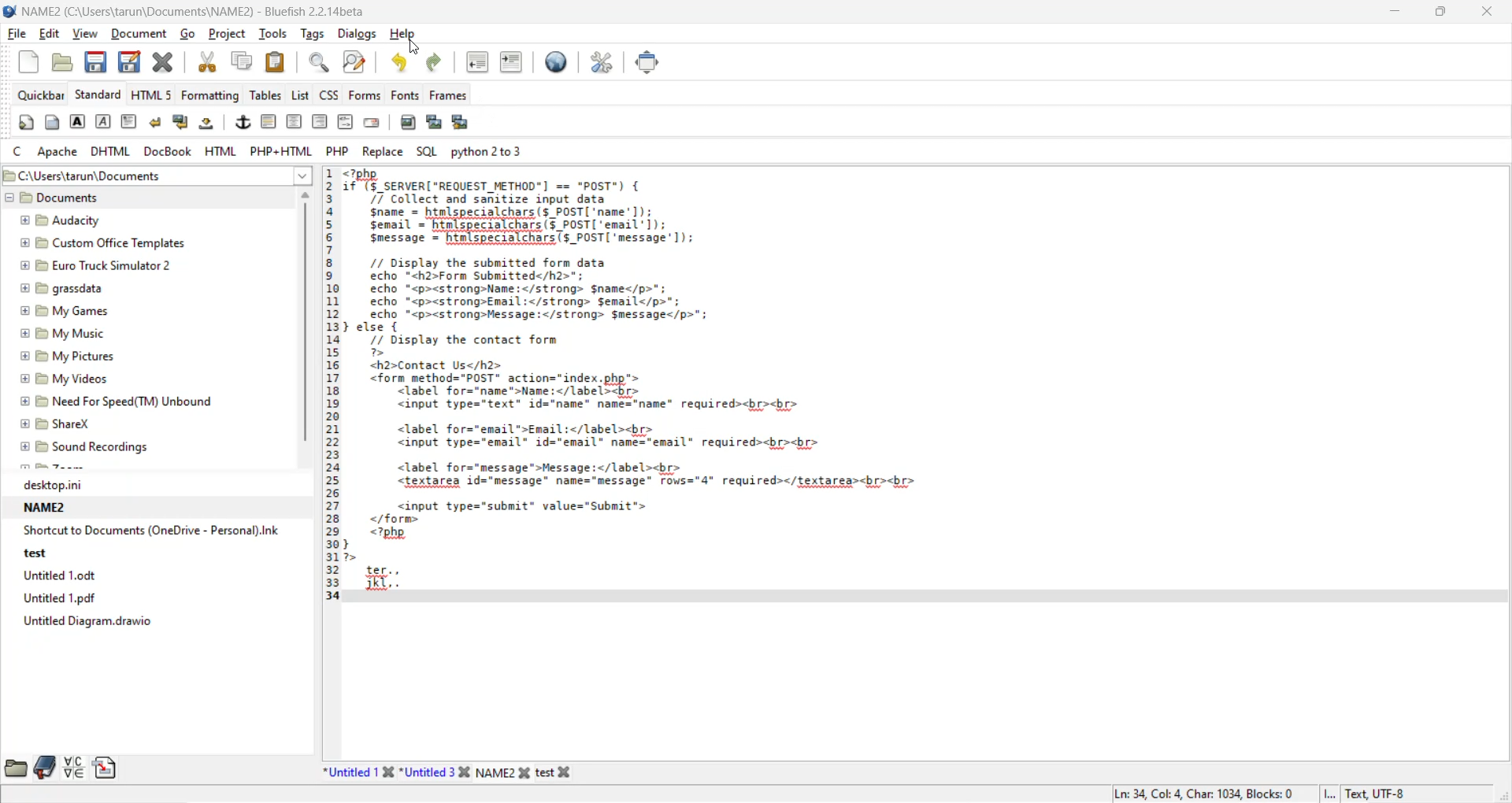  Describe the element at coordinates (277, 61) in the screenshot. I see `paste` at that location.